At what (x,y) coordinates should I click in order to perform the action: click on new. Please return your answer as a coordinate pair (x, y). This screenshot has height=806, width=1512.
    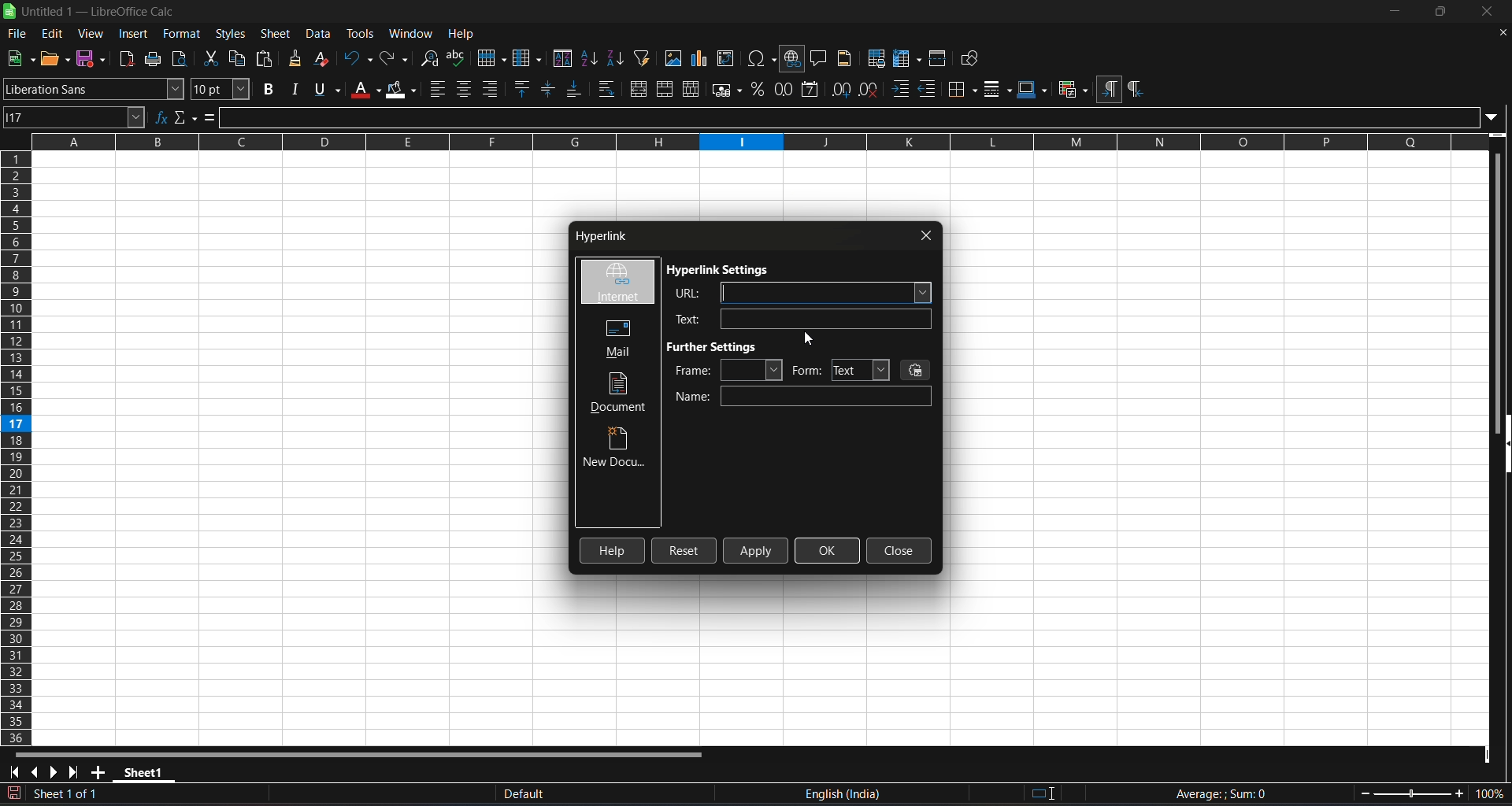
    Looking at the image, I should click on (56, 58).